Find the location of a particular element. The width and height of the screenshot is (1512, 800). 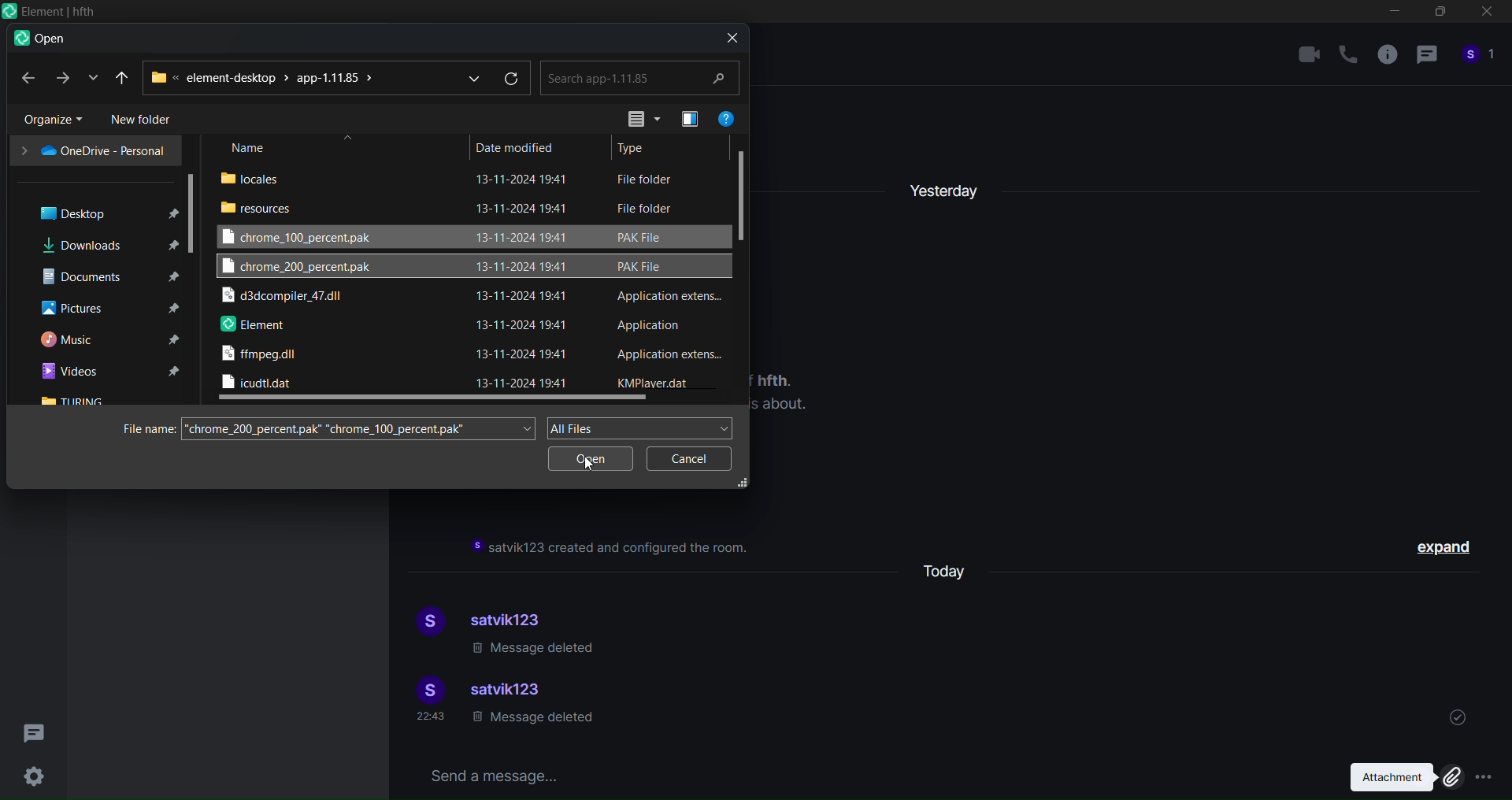

resize dialog is located at coordinates (743, 483).